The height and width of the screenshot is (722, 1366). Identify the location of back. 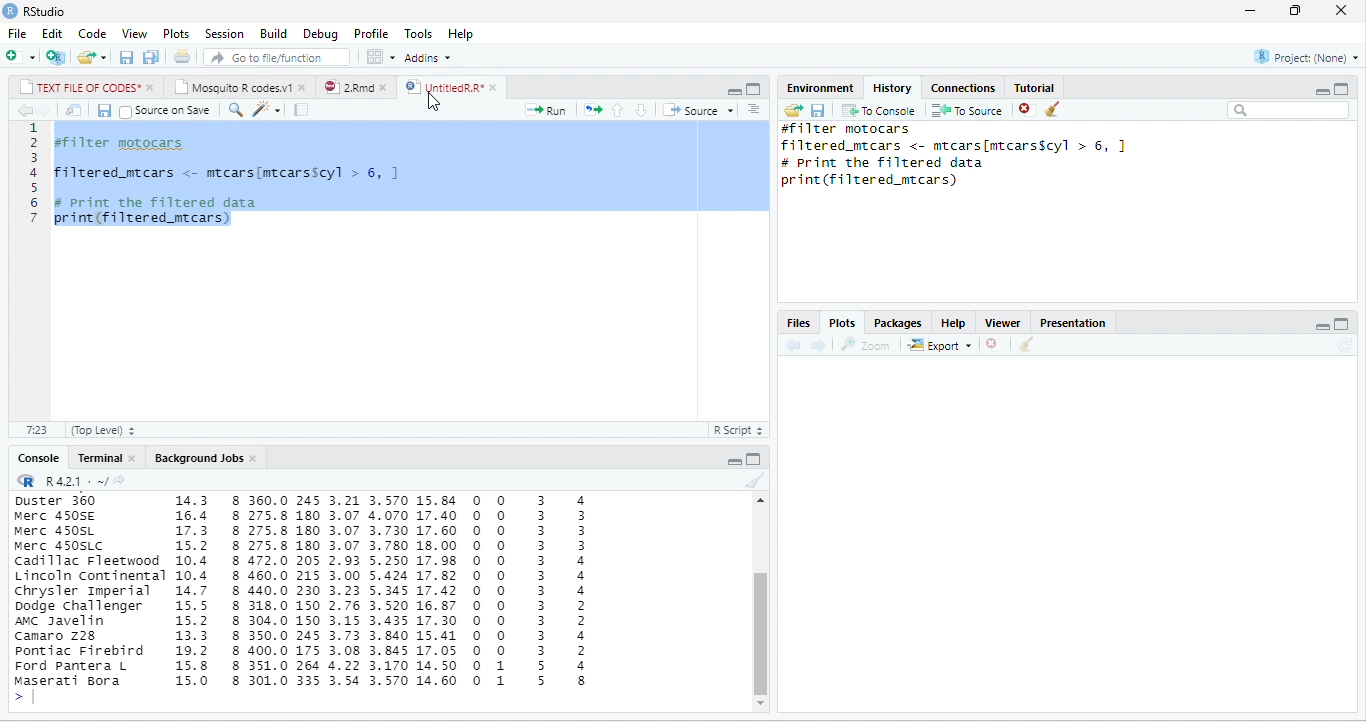
(794, 345).